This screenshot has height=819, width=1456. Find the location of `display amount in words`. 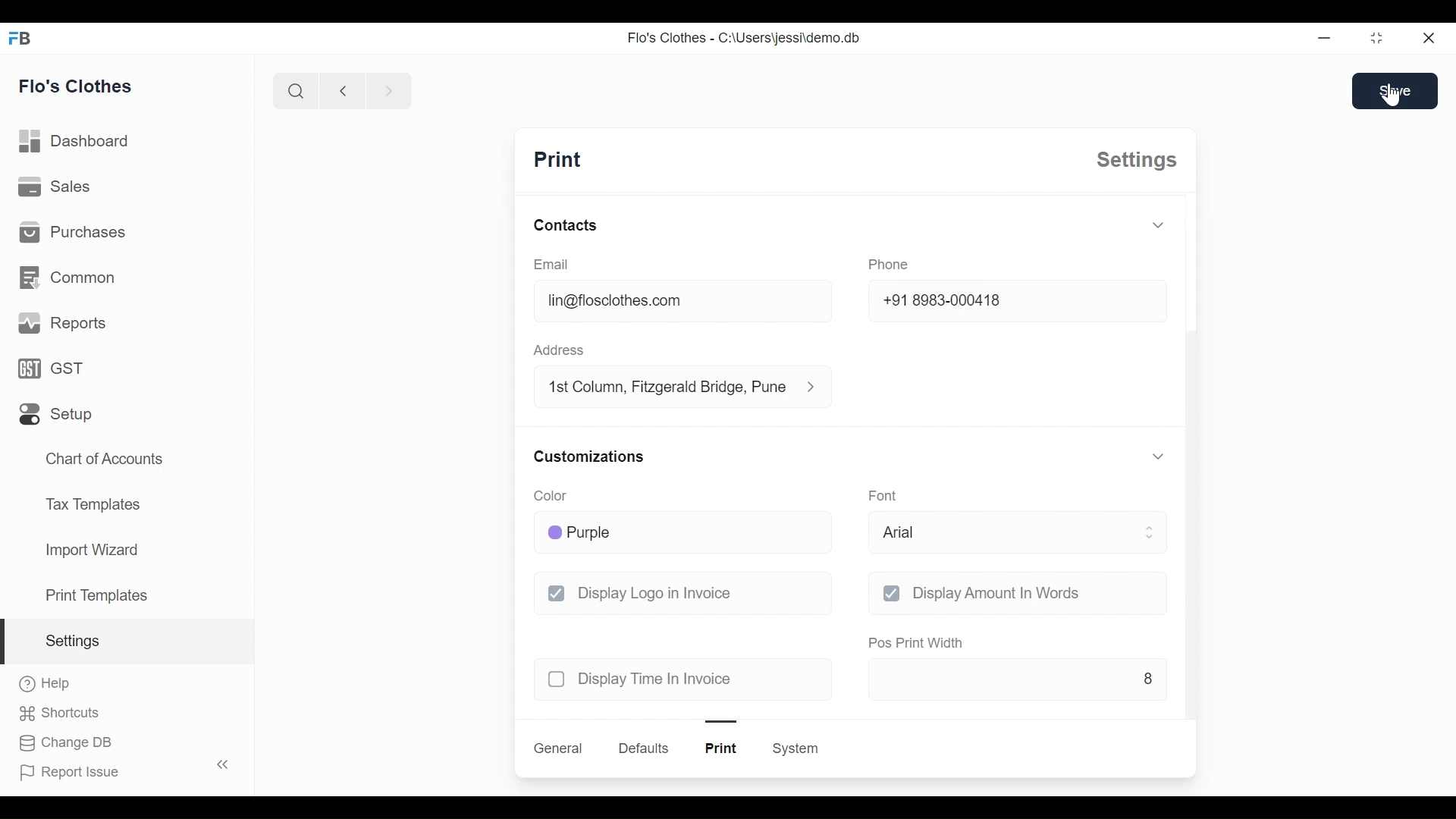

display amount in words is located at coordinates (998, 593).